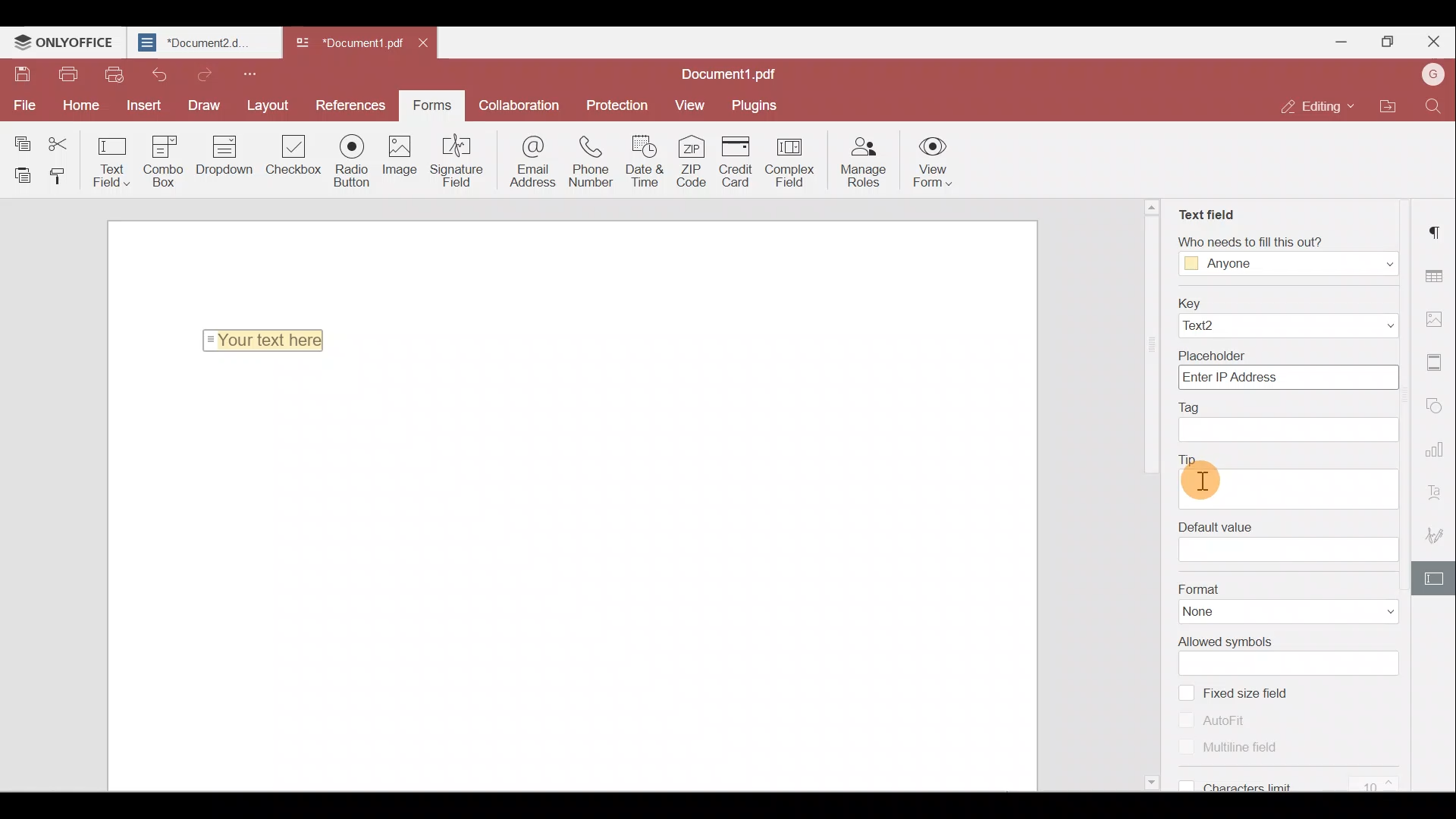 This screenshot has height=819, width=1456. I want to click on Text field, so click(1205, 209).